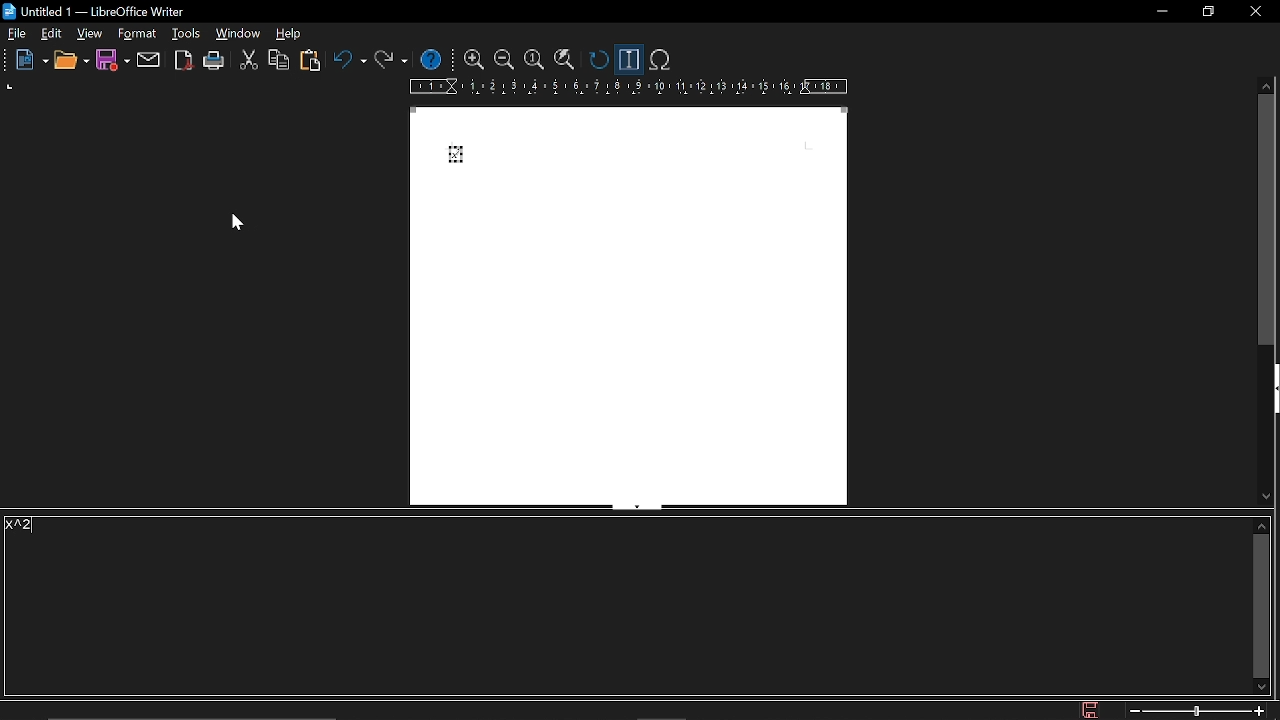 This screenshot has width=1280, height=720. What do you see at coordinates (241, 226) in the screenshot?
I see `cursor` at bounding box center [241, 226].